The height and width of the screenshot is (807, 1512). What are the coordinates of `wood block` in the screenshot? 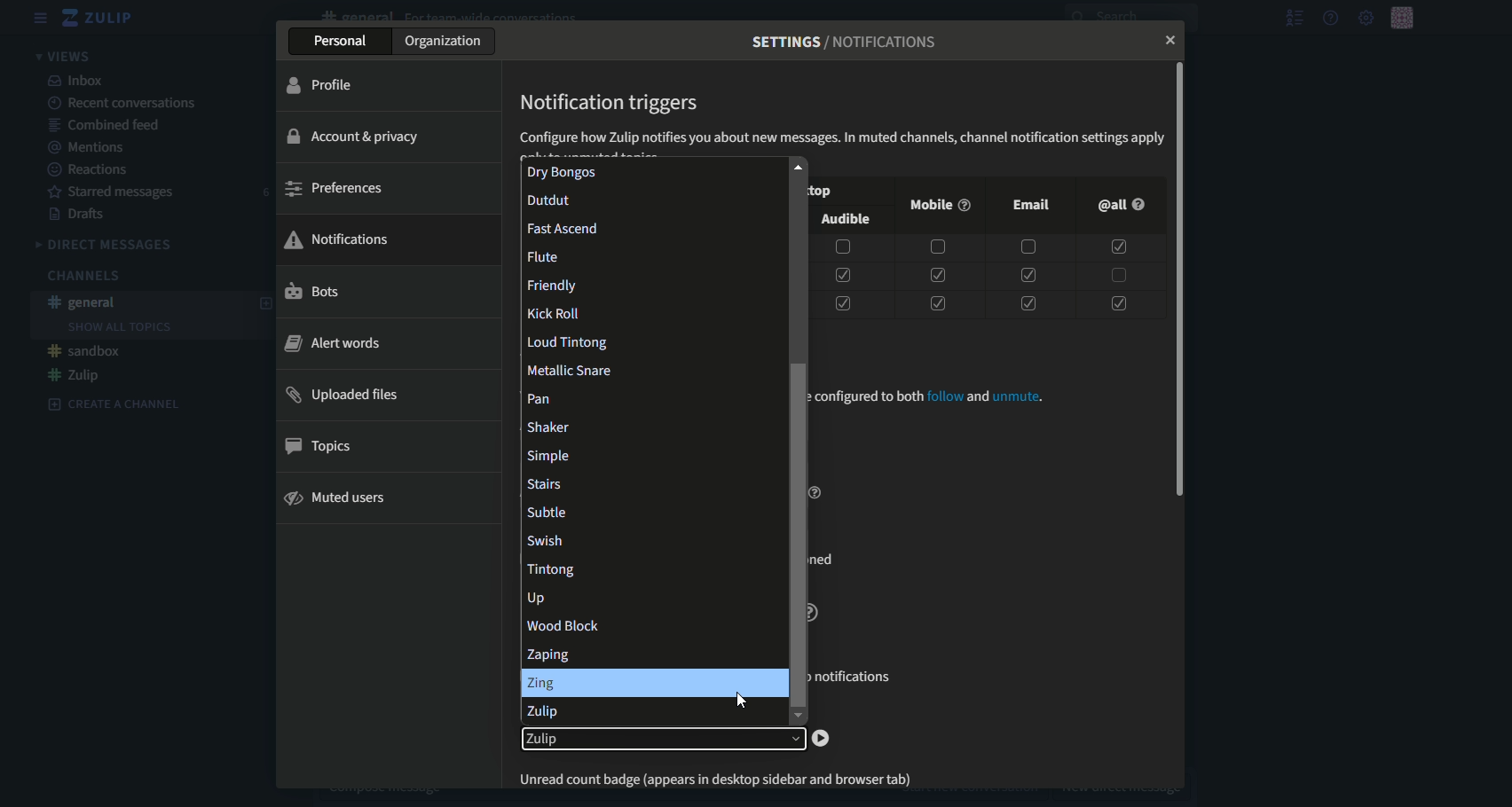 It's located at (650, 625).